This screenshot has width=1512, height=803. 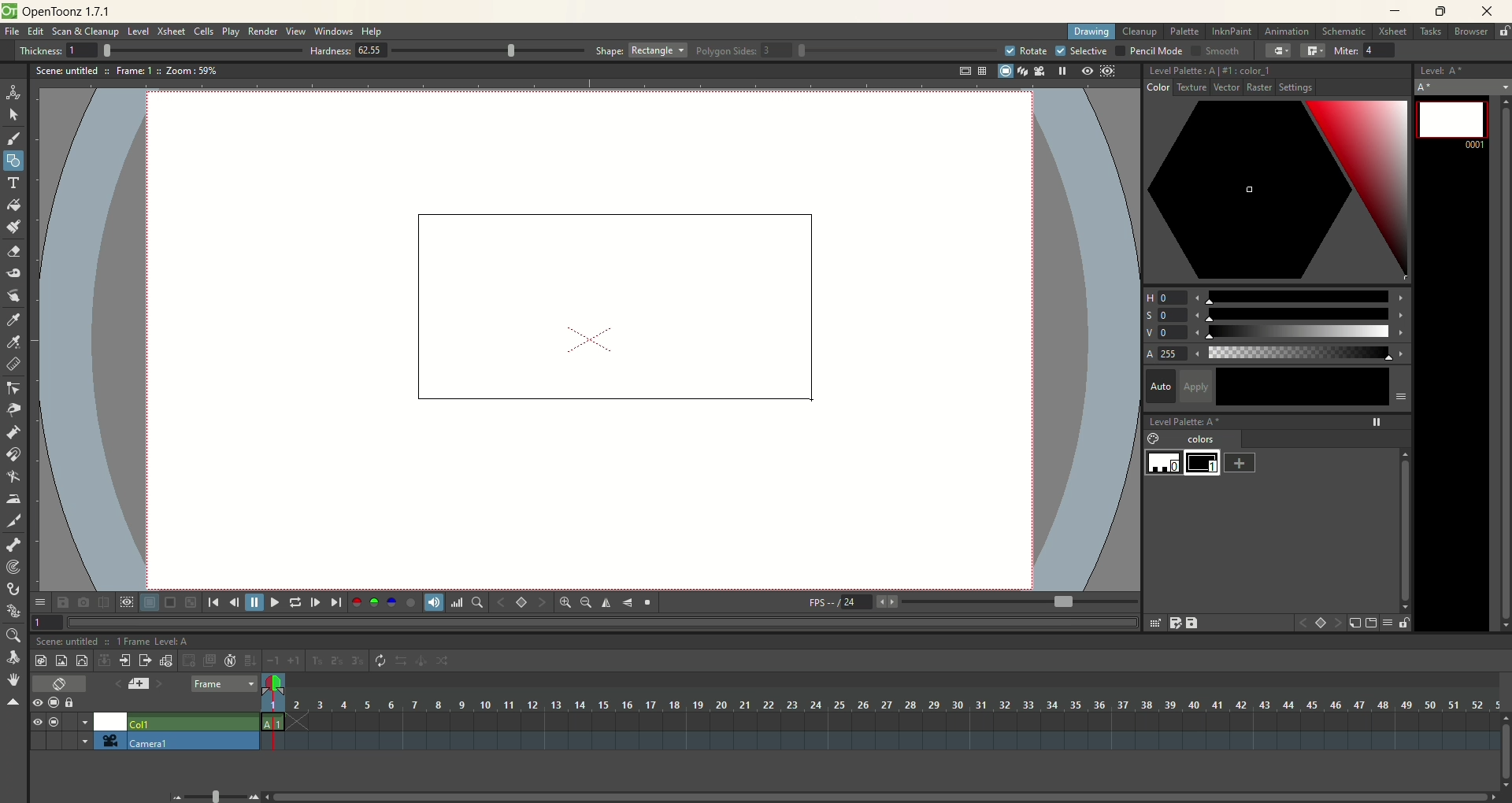 What do you see at coordinates (963, 72) in the screenshot?
I see `safe area` at bounding box center [963, 72].